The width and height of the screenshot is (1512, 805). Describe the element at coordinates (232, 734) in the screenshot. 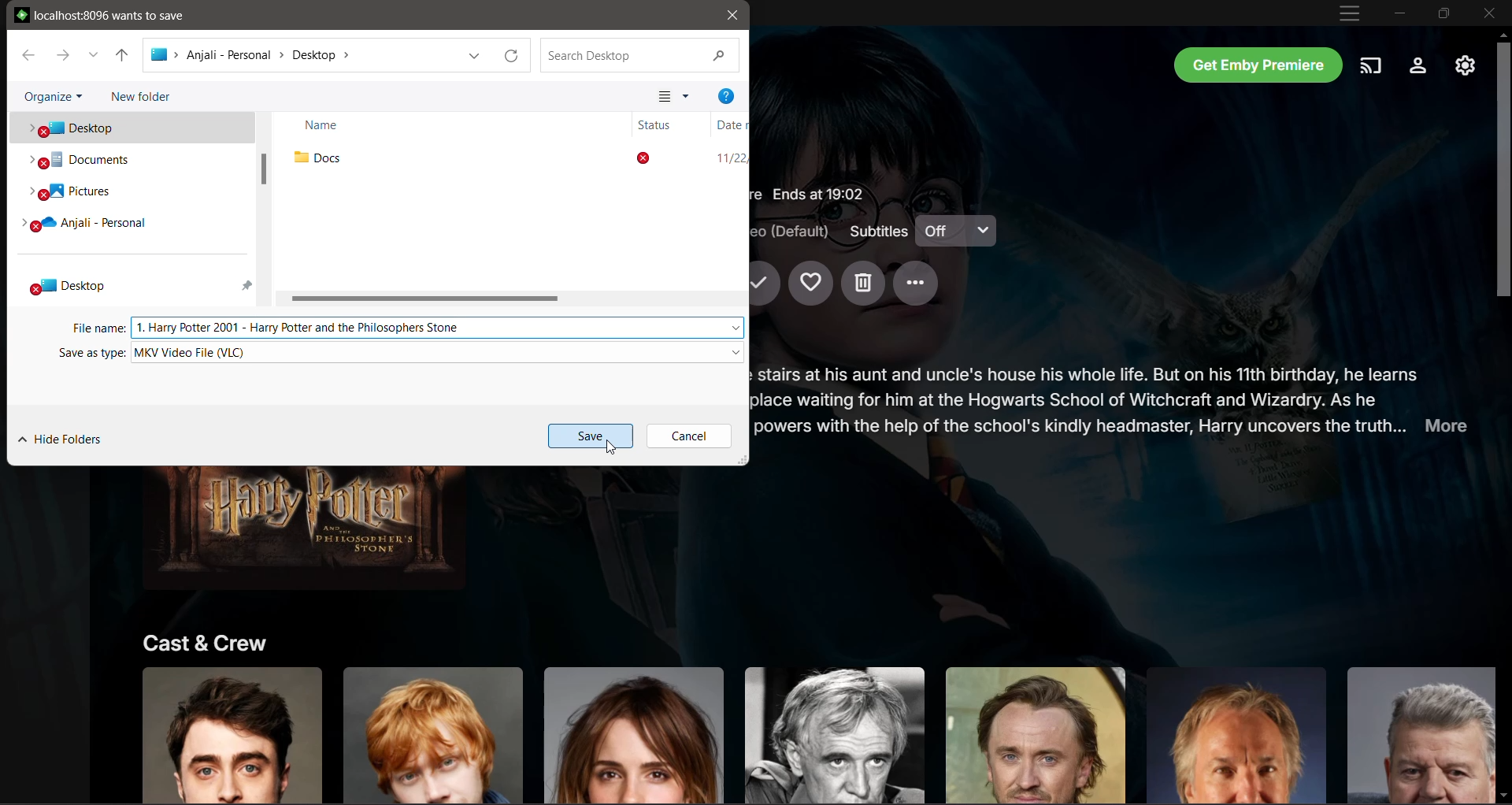

I see `Click to know more about actor` at that location.